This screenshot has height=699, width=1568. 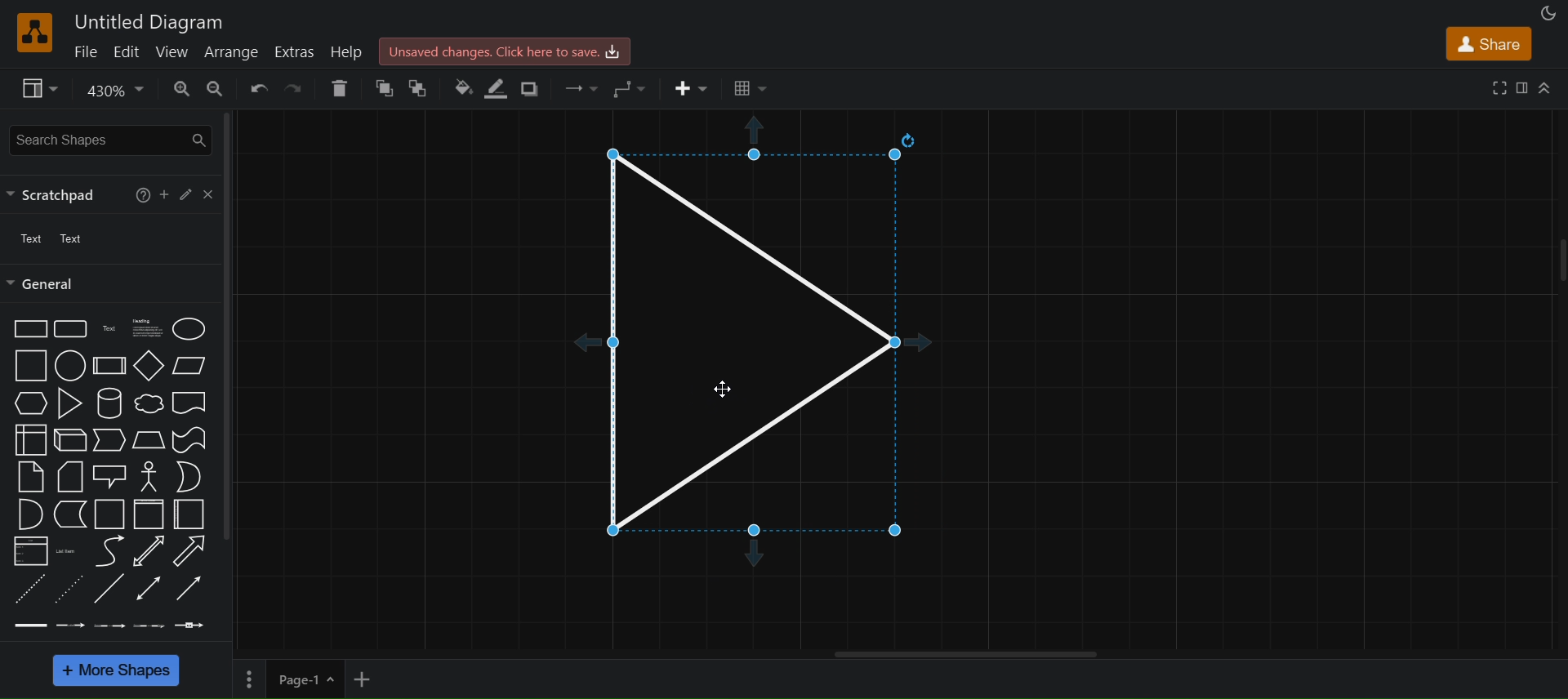 What do you see at coordinates (1521, 87) in the screenshot?
I see `format` at bounding box center [1521, 87].